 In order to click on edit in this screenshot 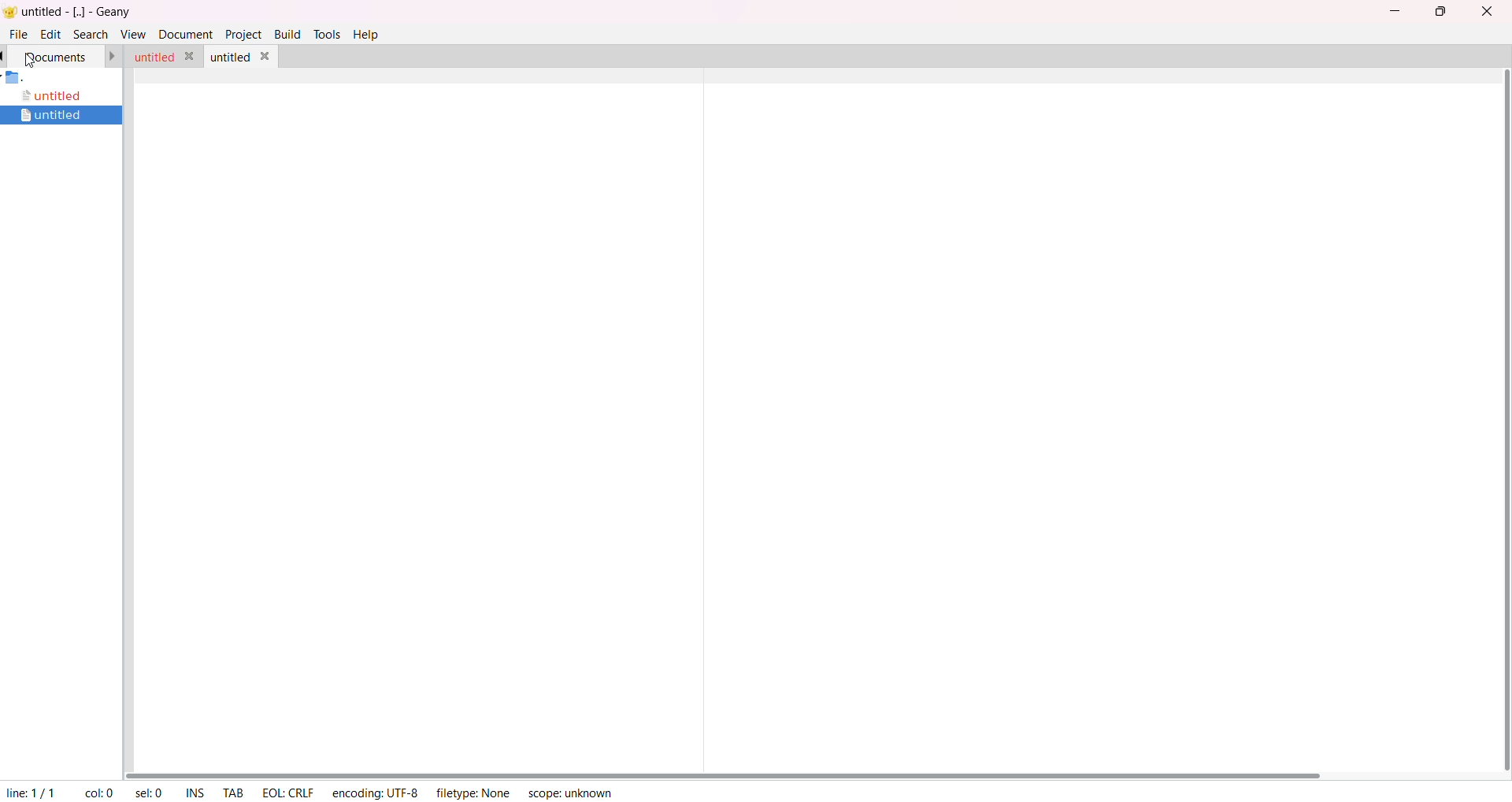, I will do `click(52, 34)`.